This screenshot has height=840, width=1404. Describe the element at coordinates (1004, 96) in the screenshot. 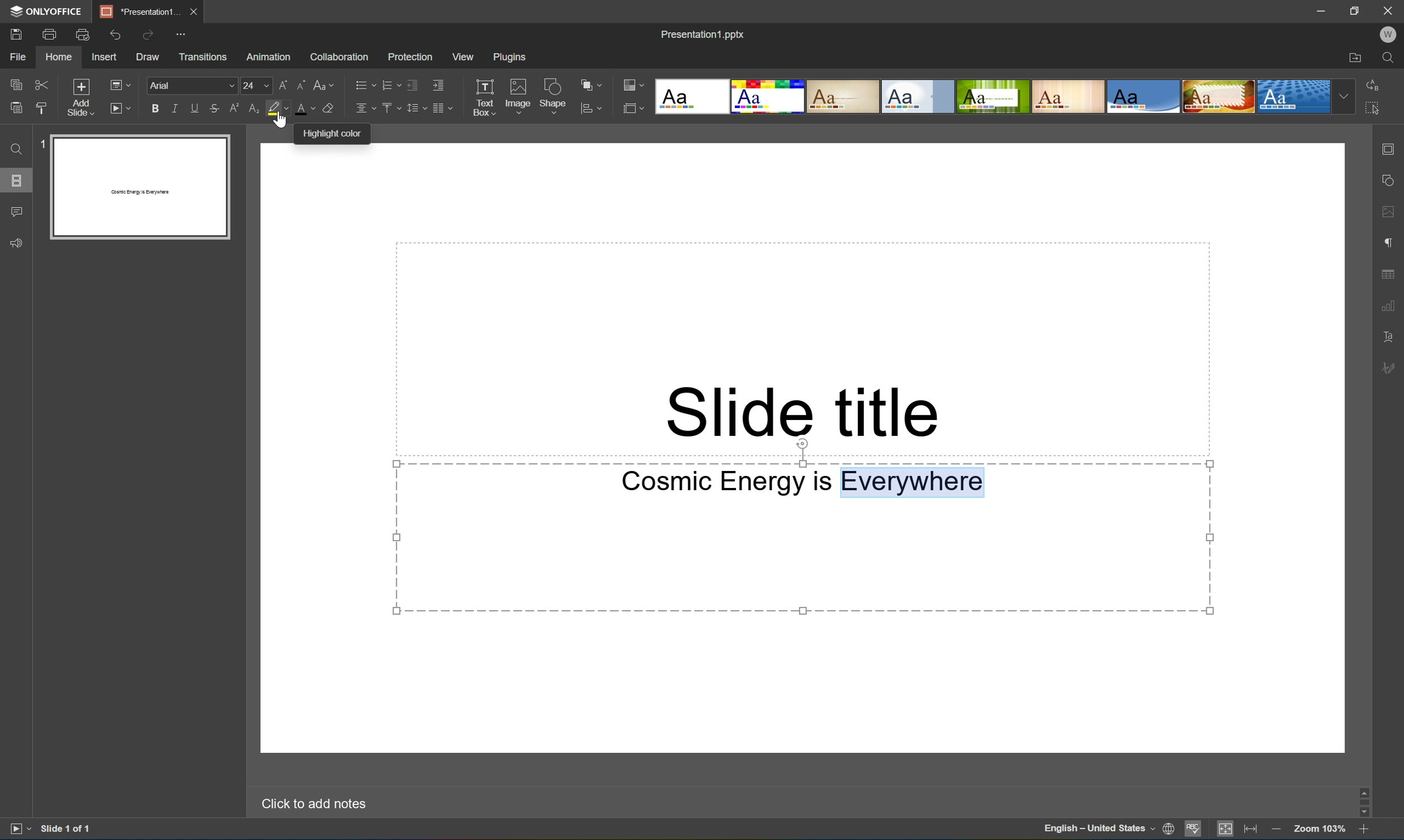

I see `Type of slides` at that location.